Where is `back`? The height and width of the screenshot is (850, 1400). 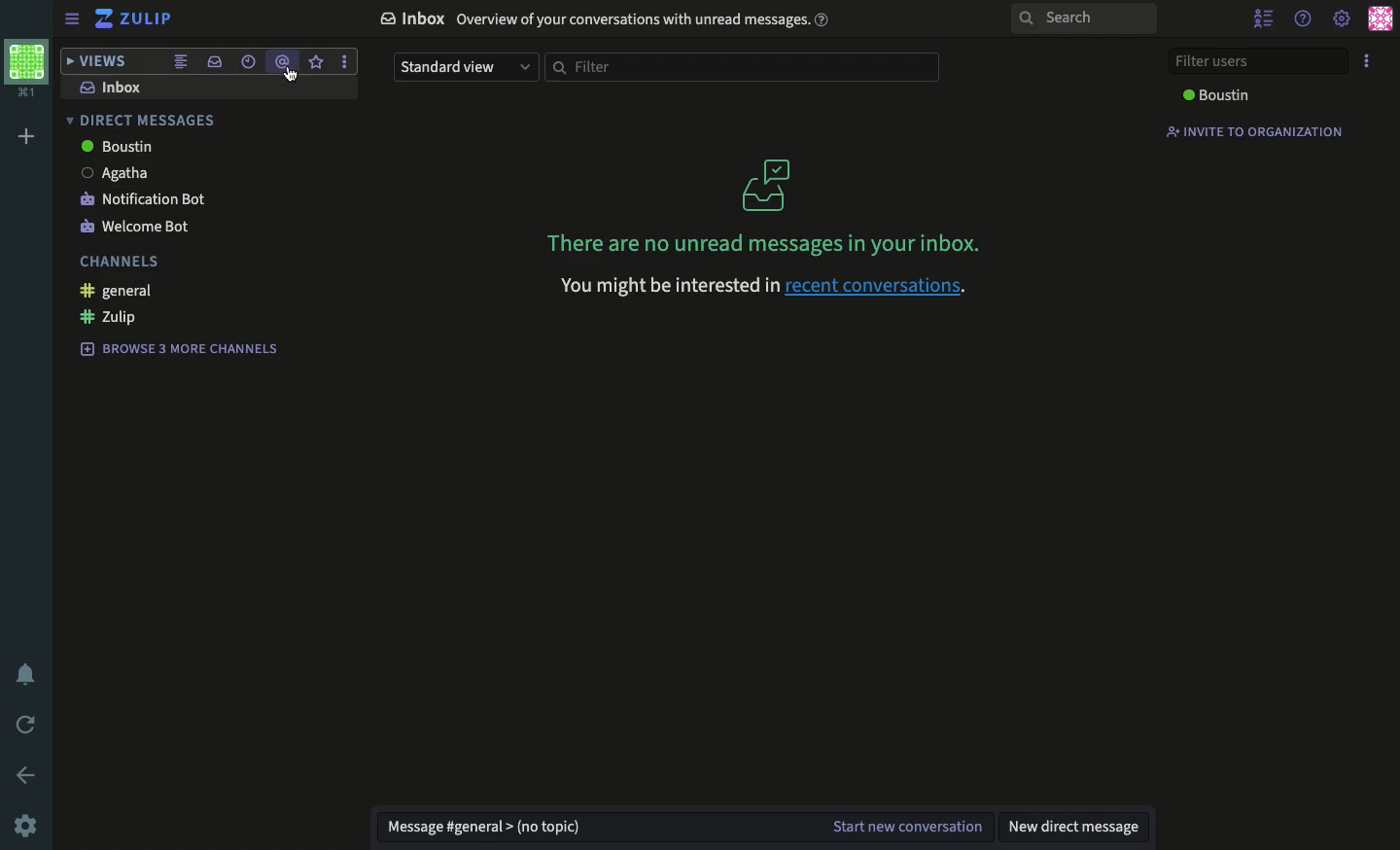 back is located at coordinates (30, 773).